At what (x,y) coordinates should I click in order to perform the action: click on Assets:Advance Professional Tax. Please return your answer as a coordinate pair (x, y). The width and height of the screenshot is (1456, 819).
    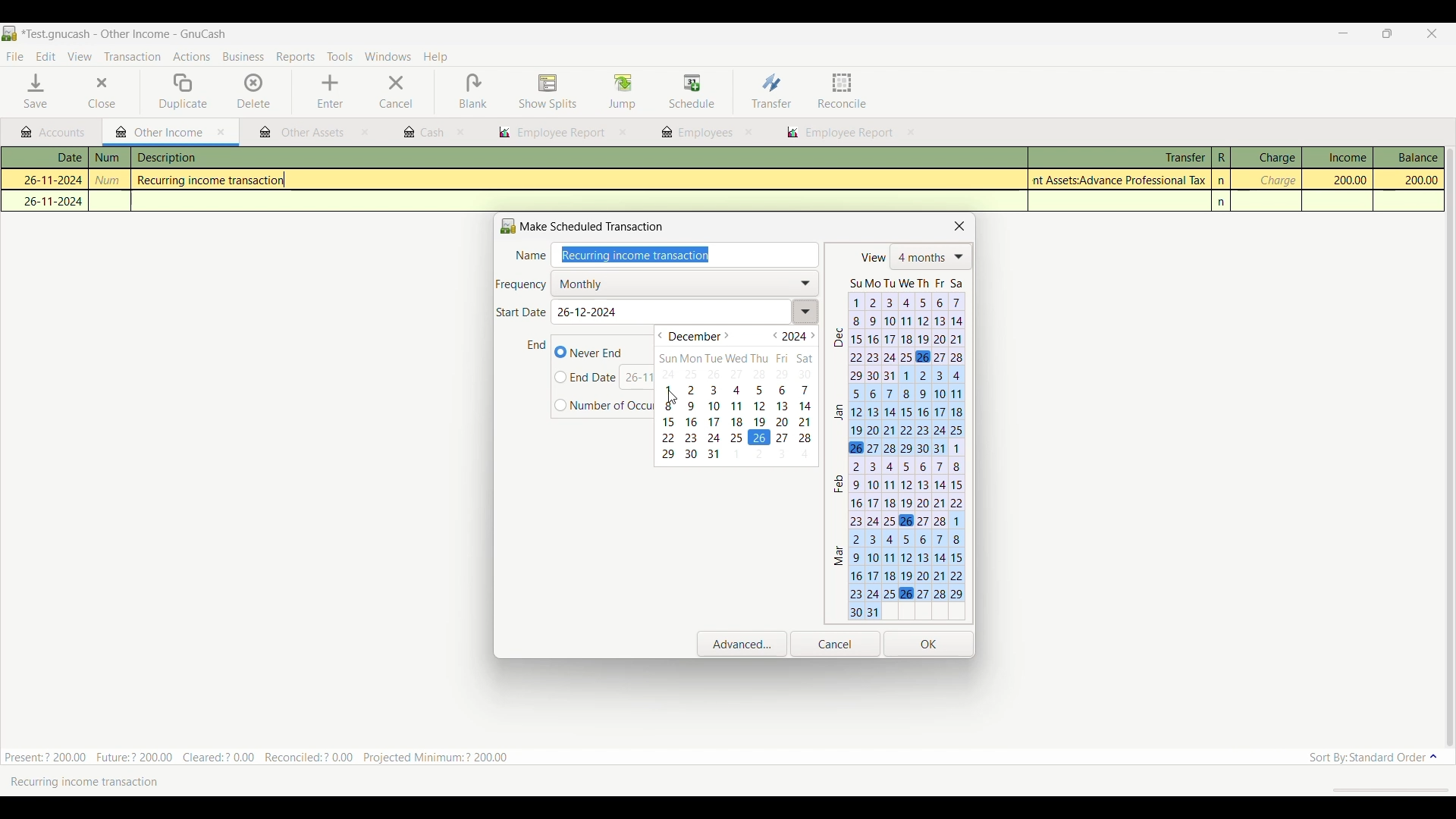
    Looking at the image, I should click on (1122, 180).